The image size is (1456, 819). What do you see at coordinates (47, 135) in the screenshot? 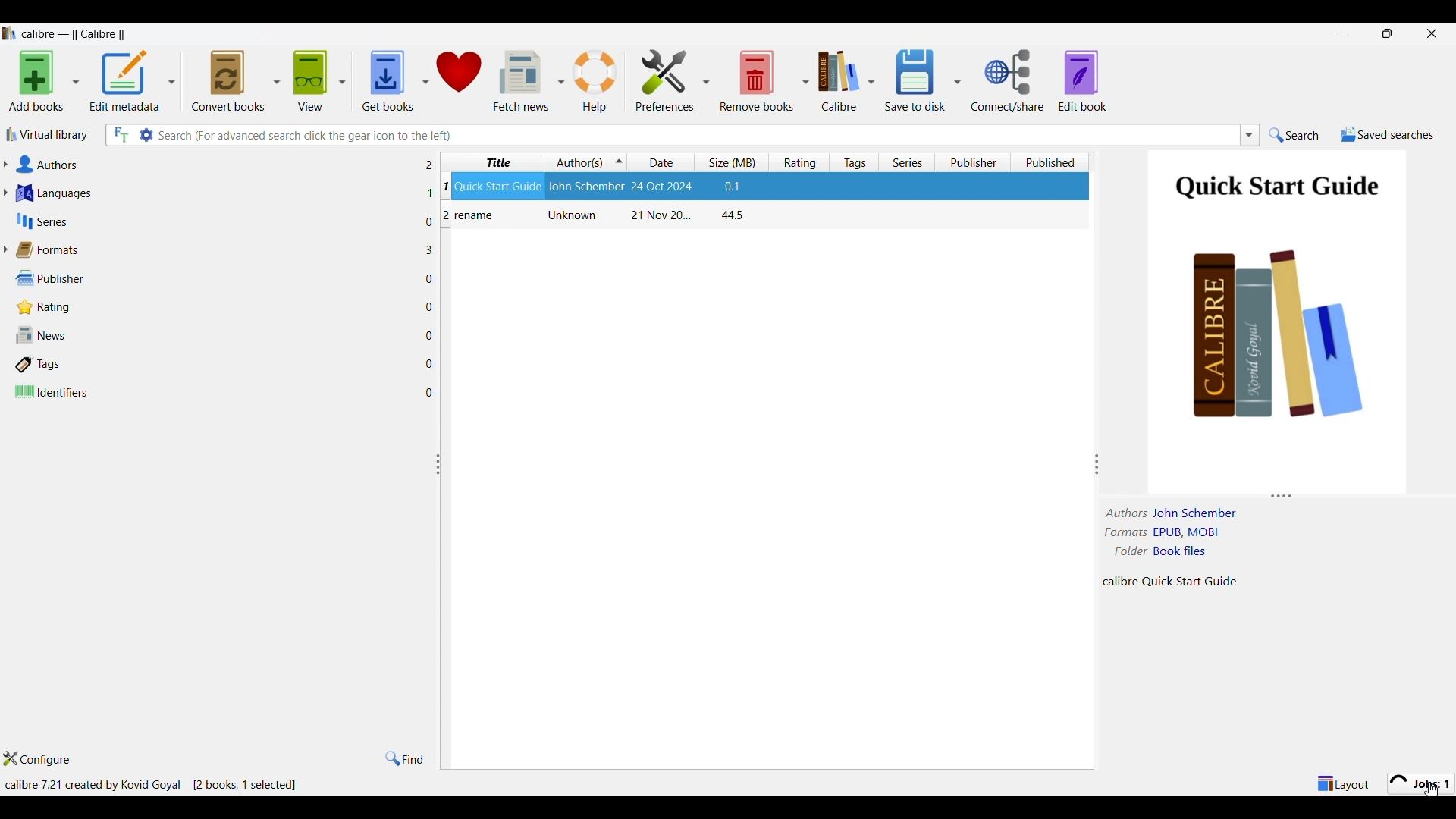
I see `Virtual library` at bounding box center [47, 135].